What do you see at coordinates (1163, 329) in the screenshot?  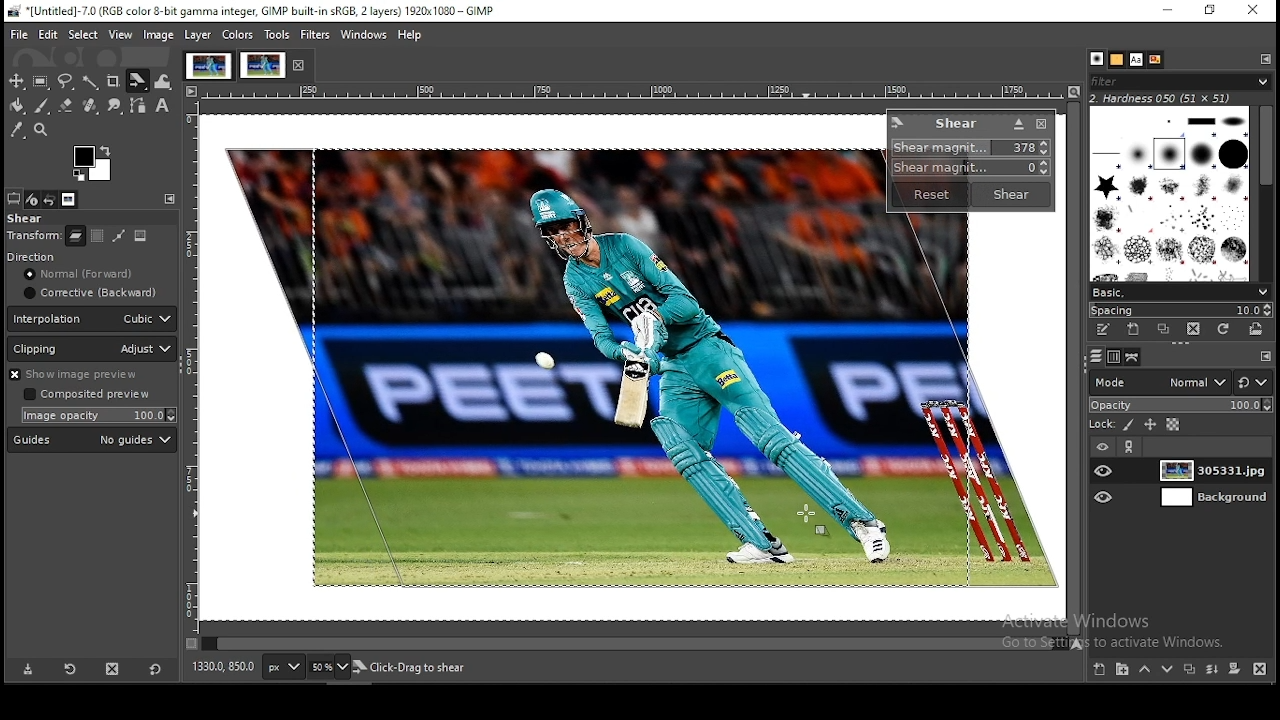 I see `duplicate this brush` at bounding box center [1163, 329].